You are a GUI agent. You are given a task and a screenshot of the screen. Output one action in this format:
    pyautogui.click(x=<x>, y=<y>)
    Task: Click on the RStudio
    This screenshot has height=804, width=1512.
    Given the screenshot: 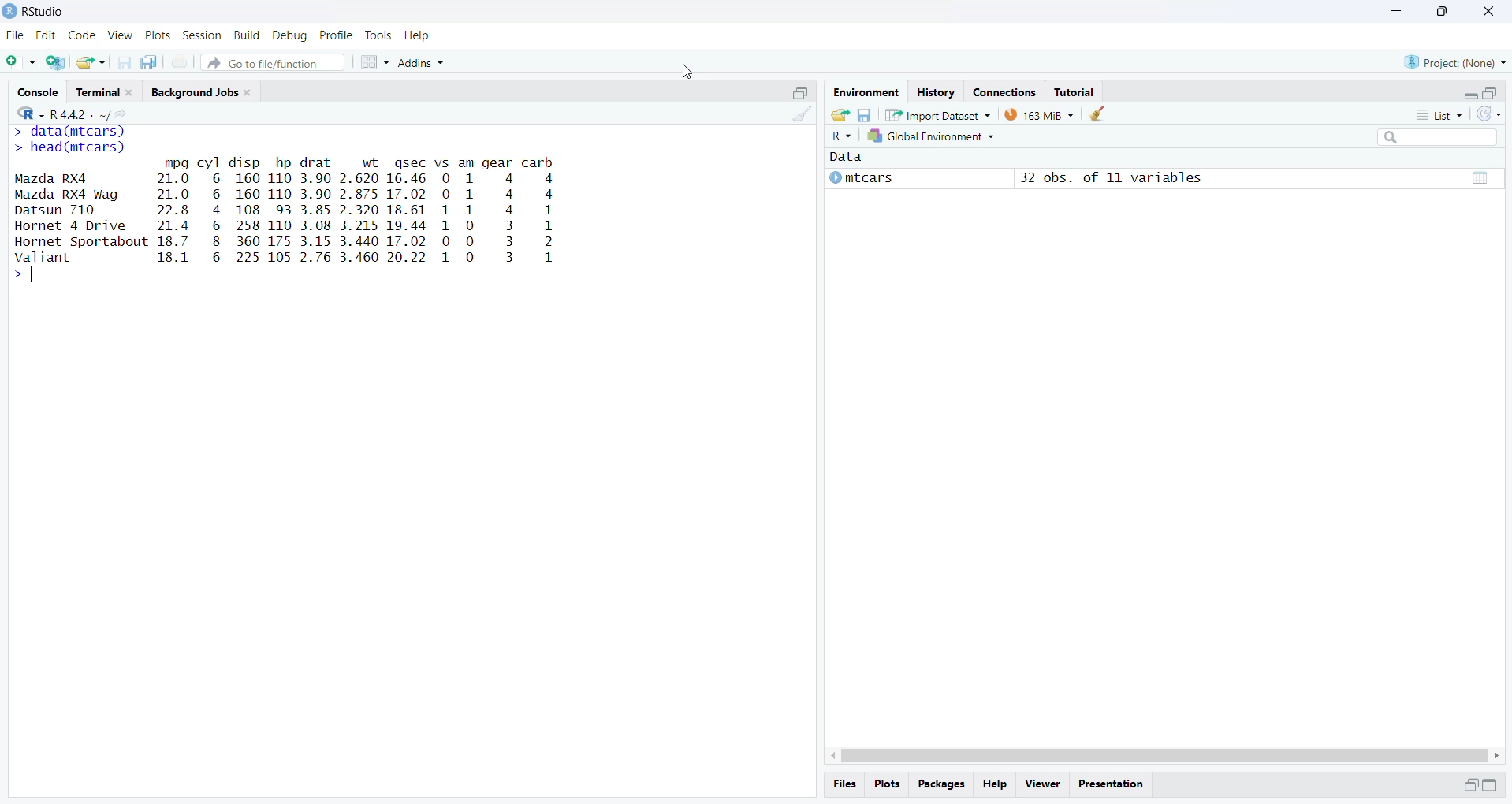 What is the action you would take?
    pyautogui.click(x=47, y=12)
    